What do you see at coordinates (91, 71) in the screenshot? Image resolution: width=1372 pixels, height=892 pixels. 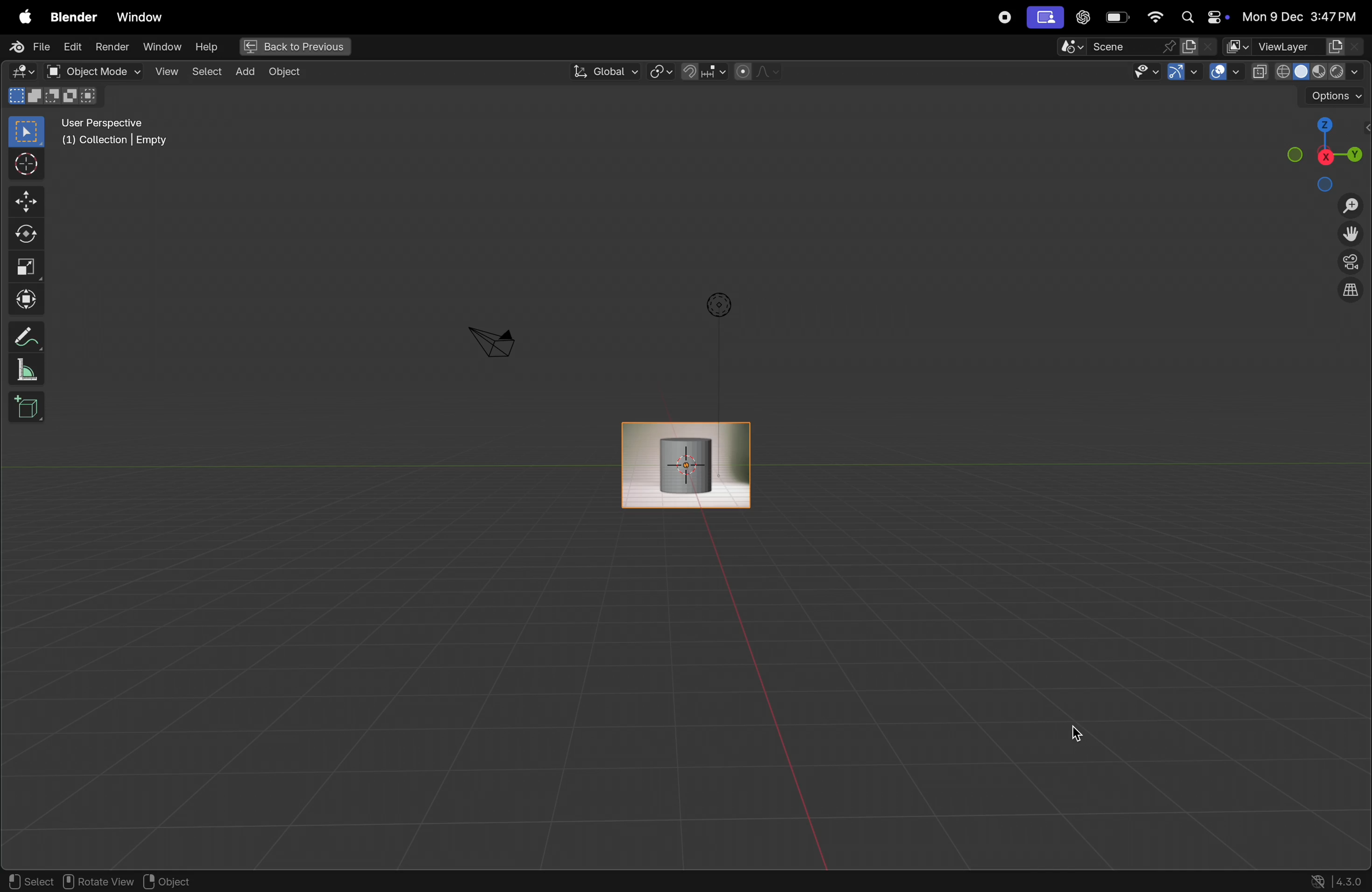 I see `object mode` at bounding box center [91, 71].